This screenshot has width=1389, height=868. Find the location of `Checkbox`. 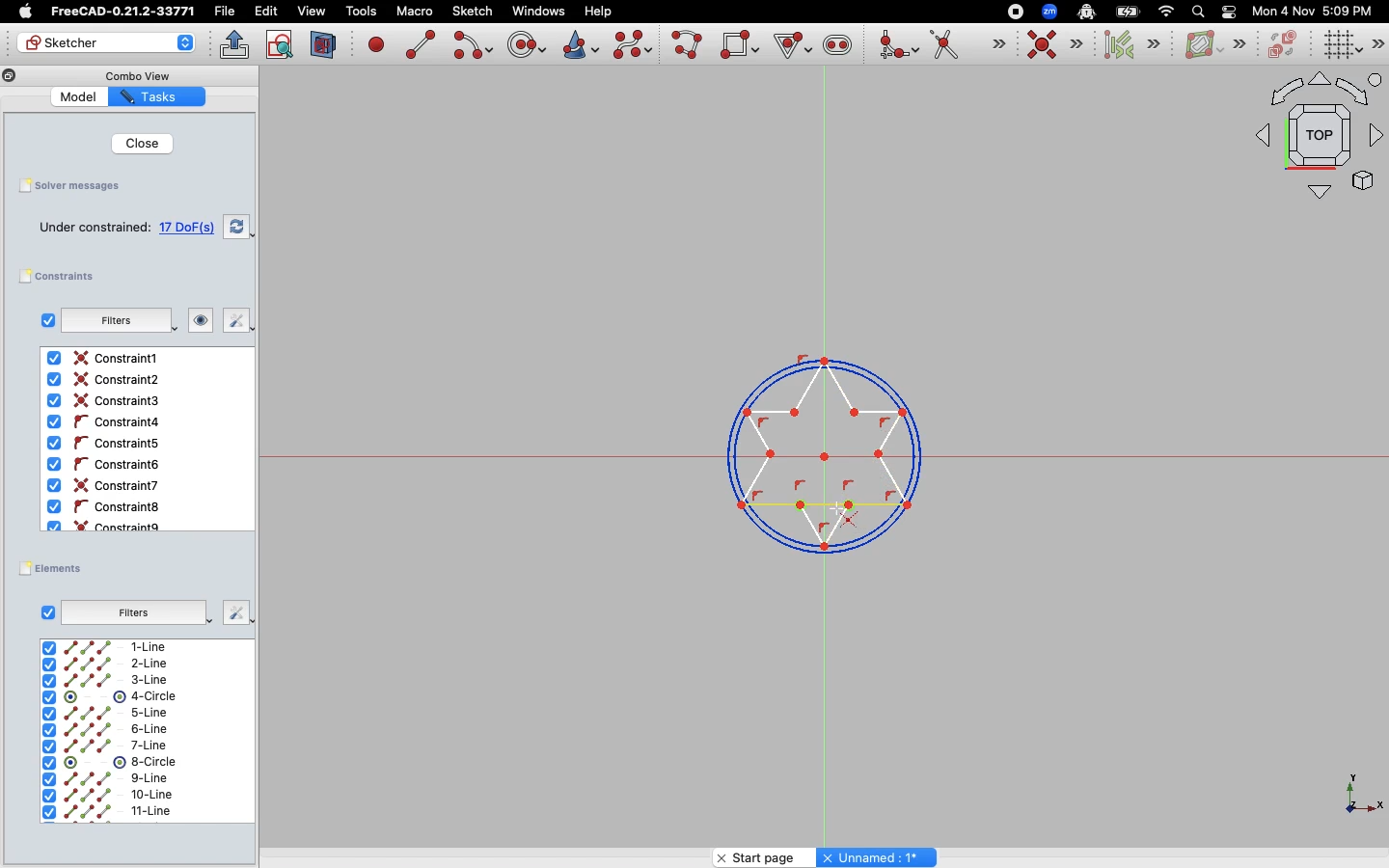

Checkbox is located at coordinates (48, 611).